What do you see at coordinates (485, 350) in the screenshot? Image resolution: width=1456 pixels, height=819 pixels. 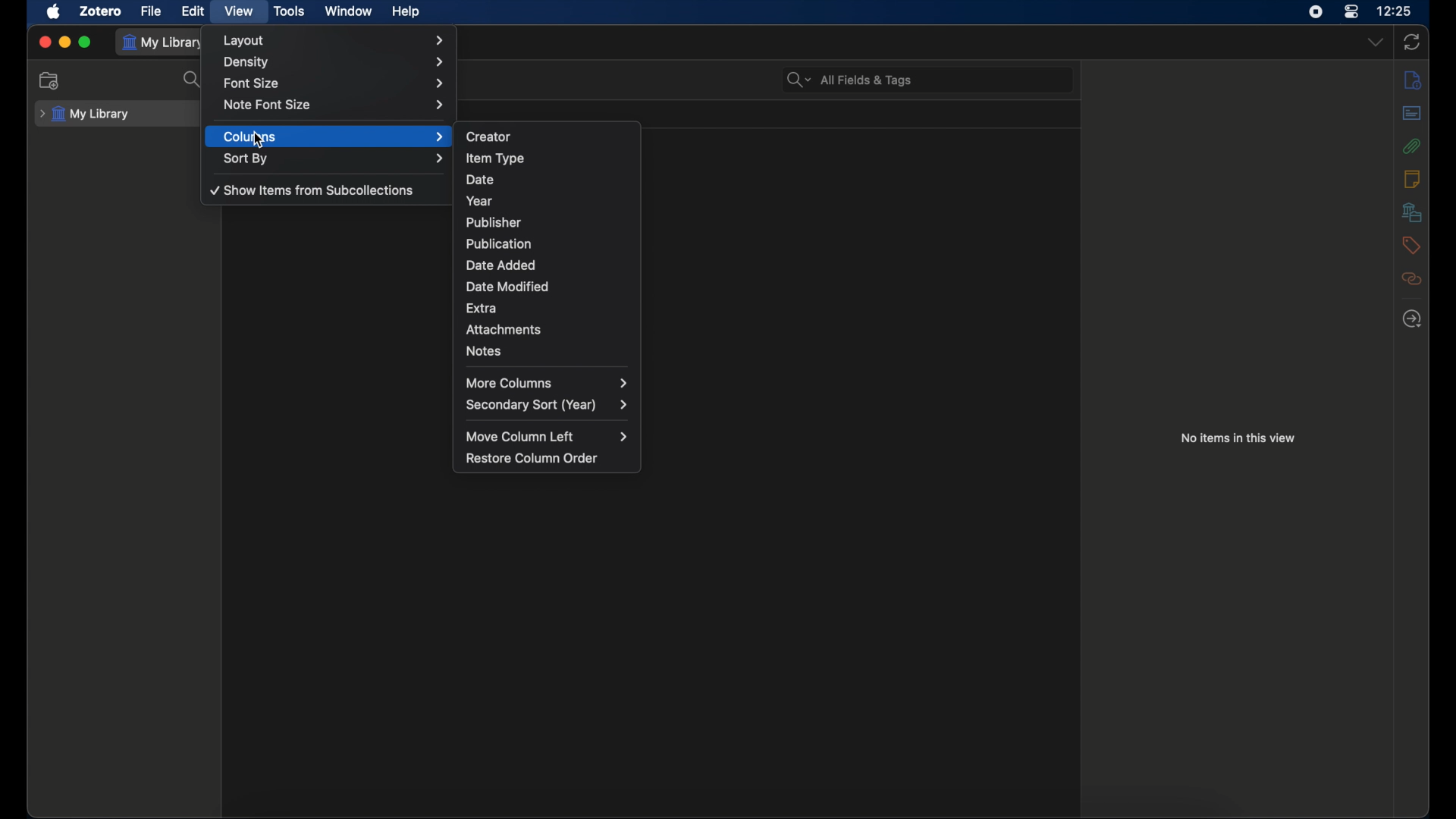 I see `notes` at bounding box center [485, 350].